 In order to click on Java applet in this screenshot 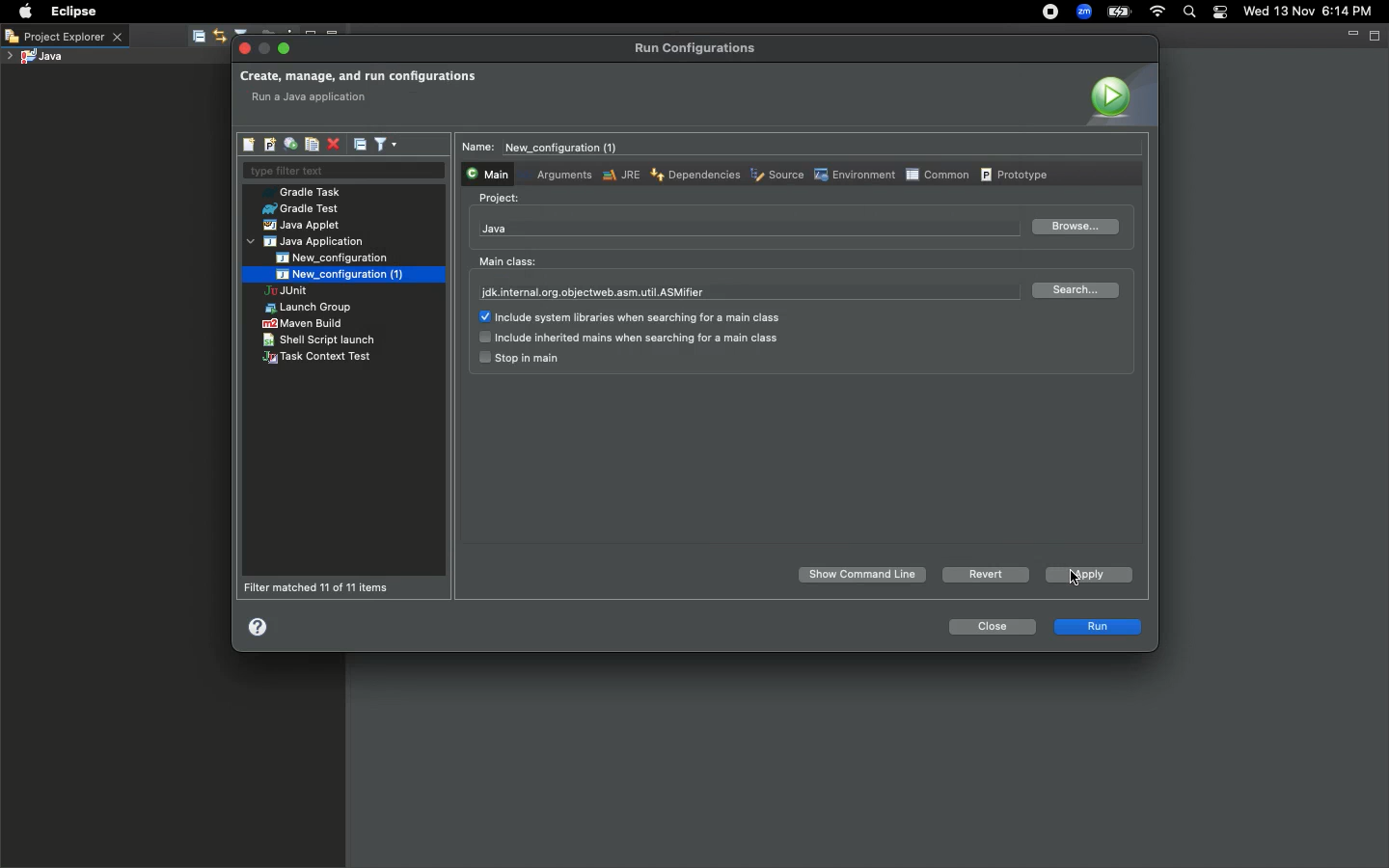, I will do `click(304, 226)`.